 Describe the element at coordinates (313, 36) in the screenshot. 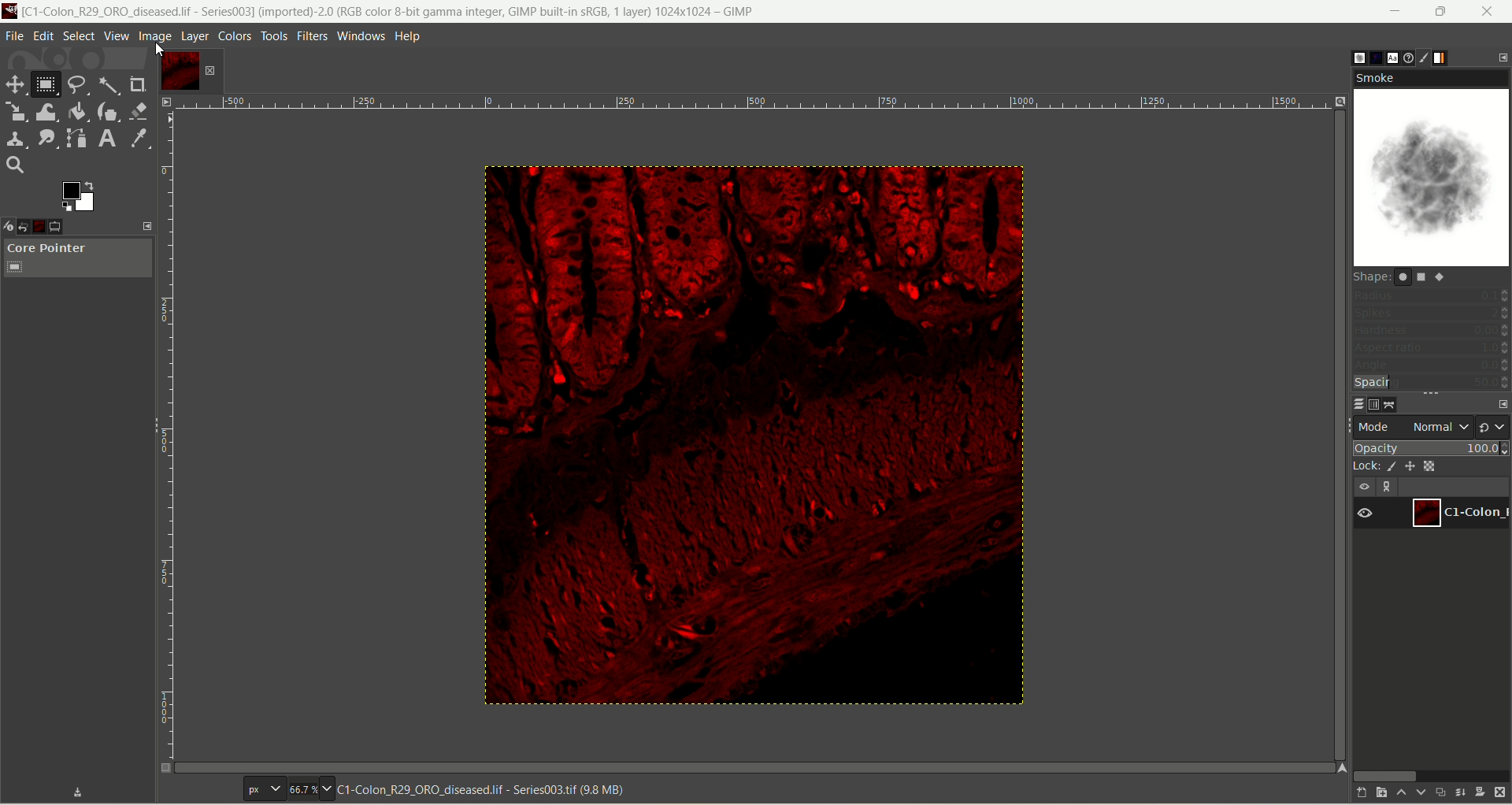

I see `filters` at that location.